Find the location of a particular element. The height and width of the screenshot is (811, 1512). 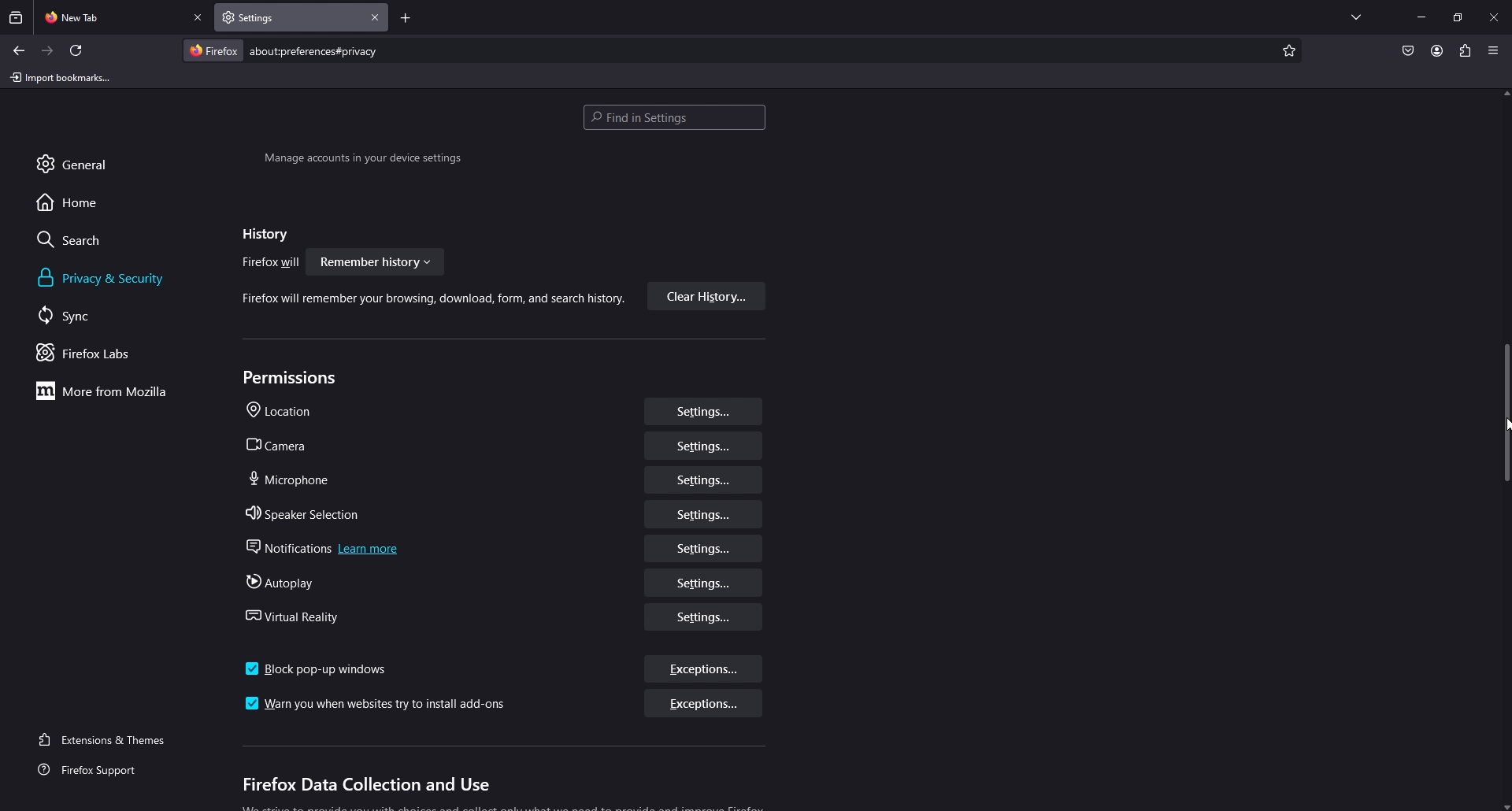

firefox will  is located at coordinates (272, 264).